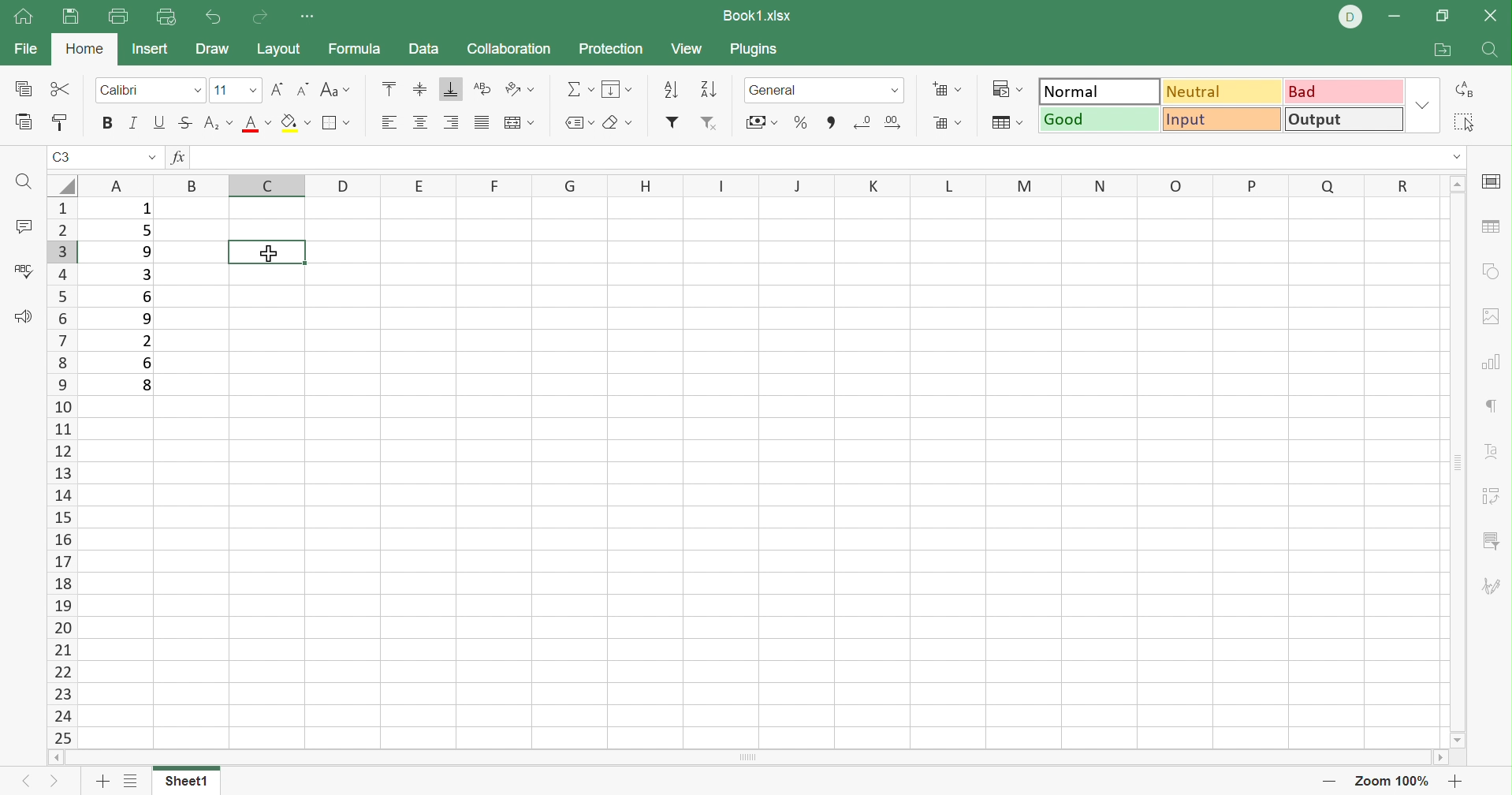  What do you see at coordinates (136, 780) in the screenshot?
I see `List of sheets` at bounding box center [136, 780].